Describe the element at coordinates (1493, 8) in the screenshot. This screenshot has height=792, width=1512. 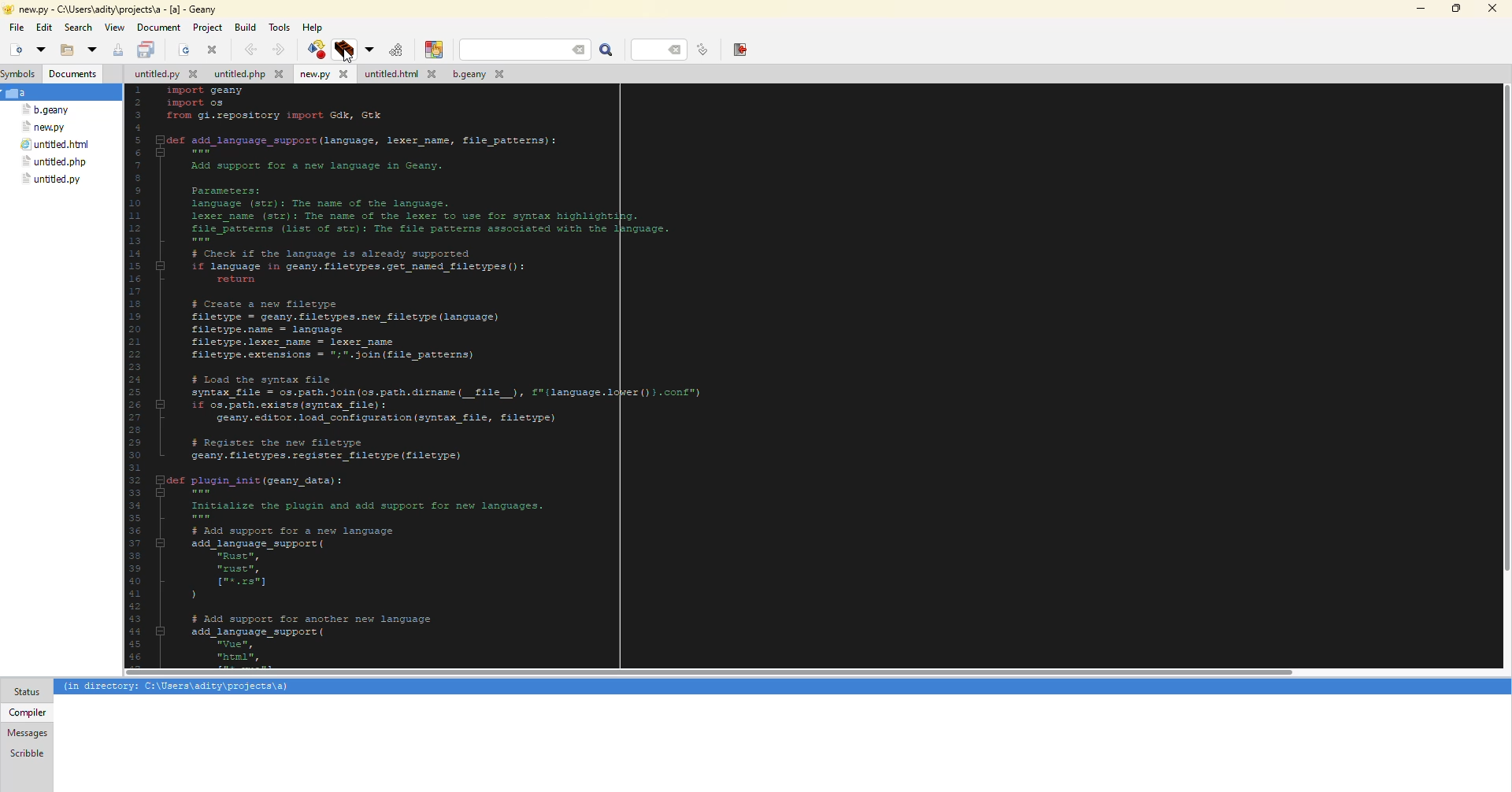
I see `close` at that location.